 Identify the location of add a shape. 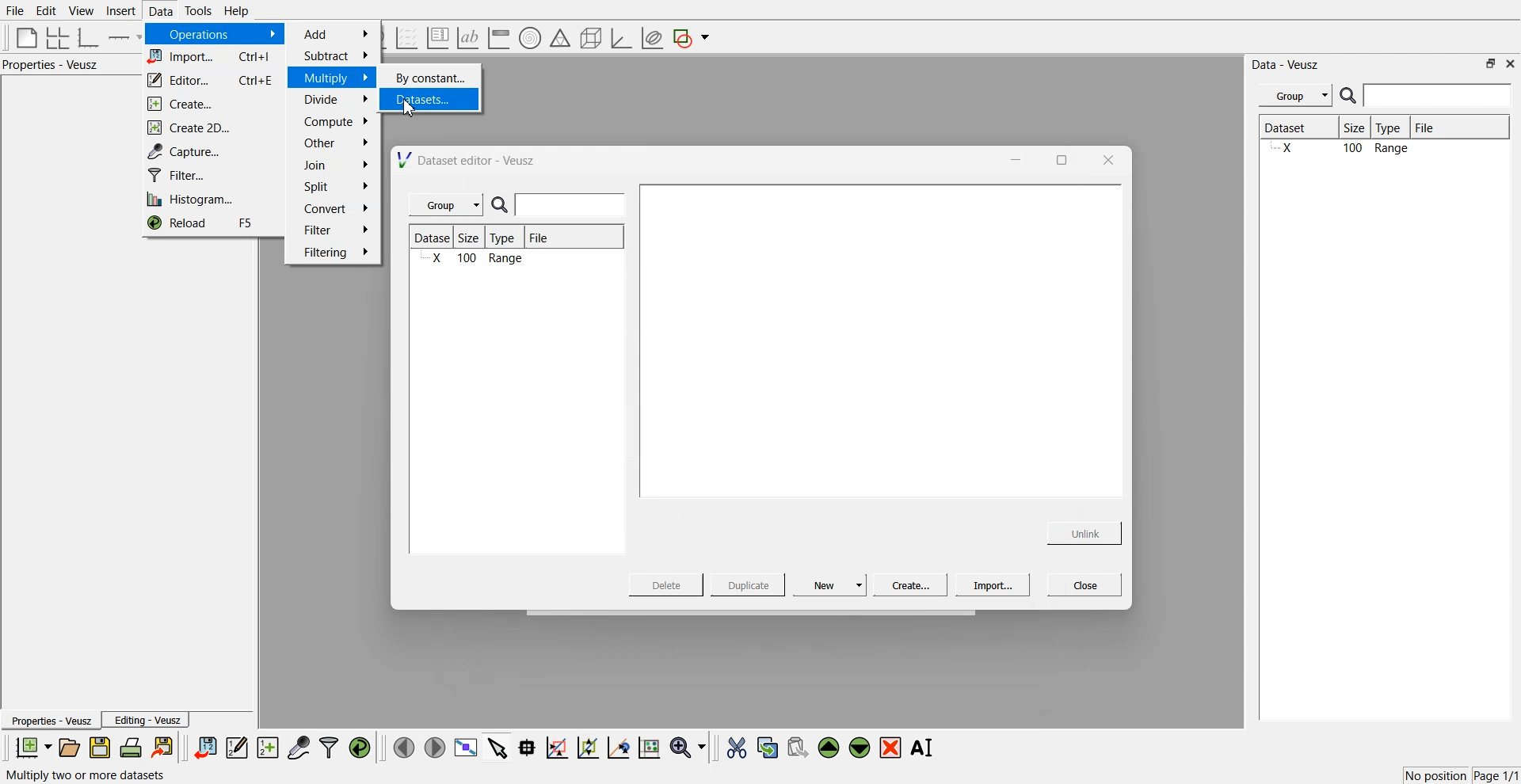
(692, 39).